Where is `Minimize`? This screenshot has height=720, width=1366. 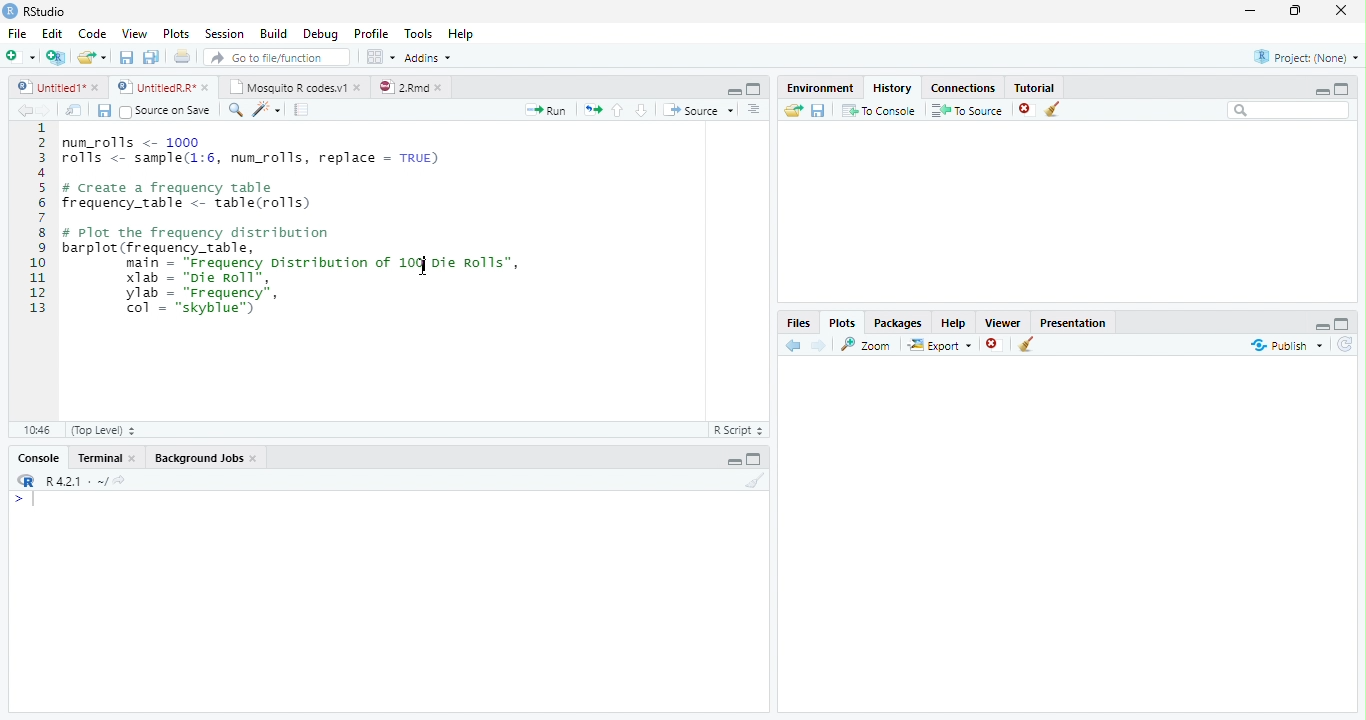 Minimize is located at coordinates (1251, 11).